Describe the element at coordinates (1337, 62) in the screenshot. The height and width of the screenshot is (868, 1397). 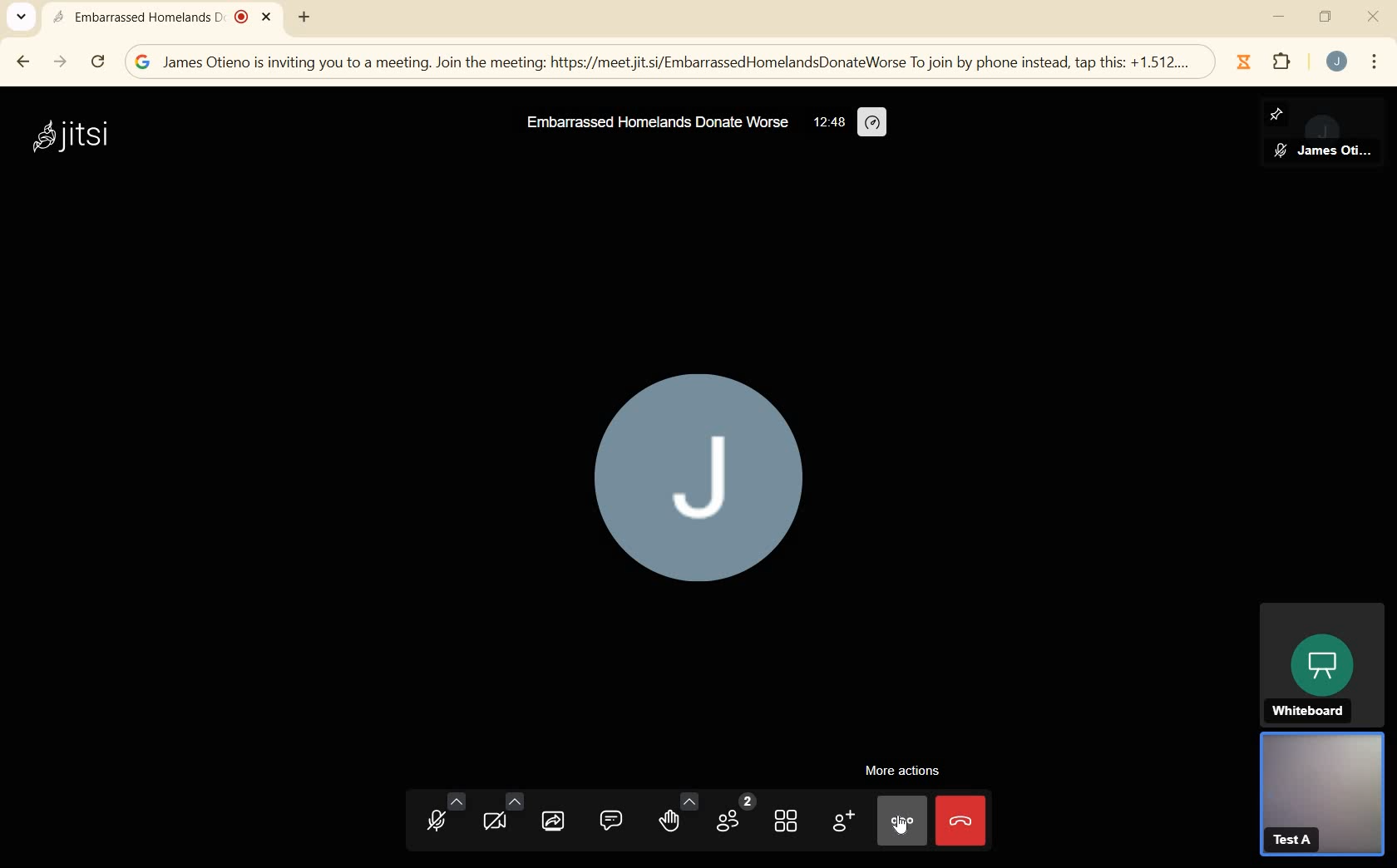
I see `account` at that location.